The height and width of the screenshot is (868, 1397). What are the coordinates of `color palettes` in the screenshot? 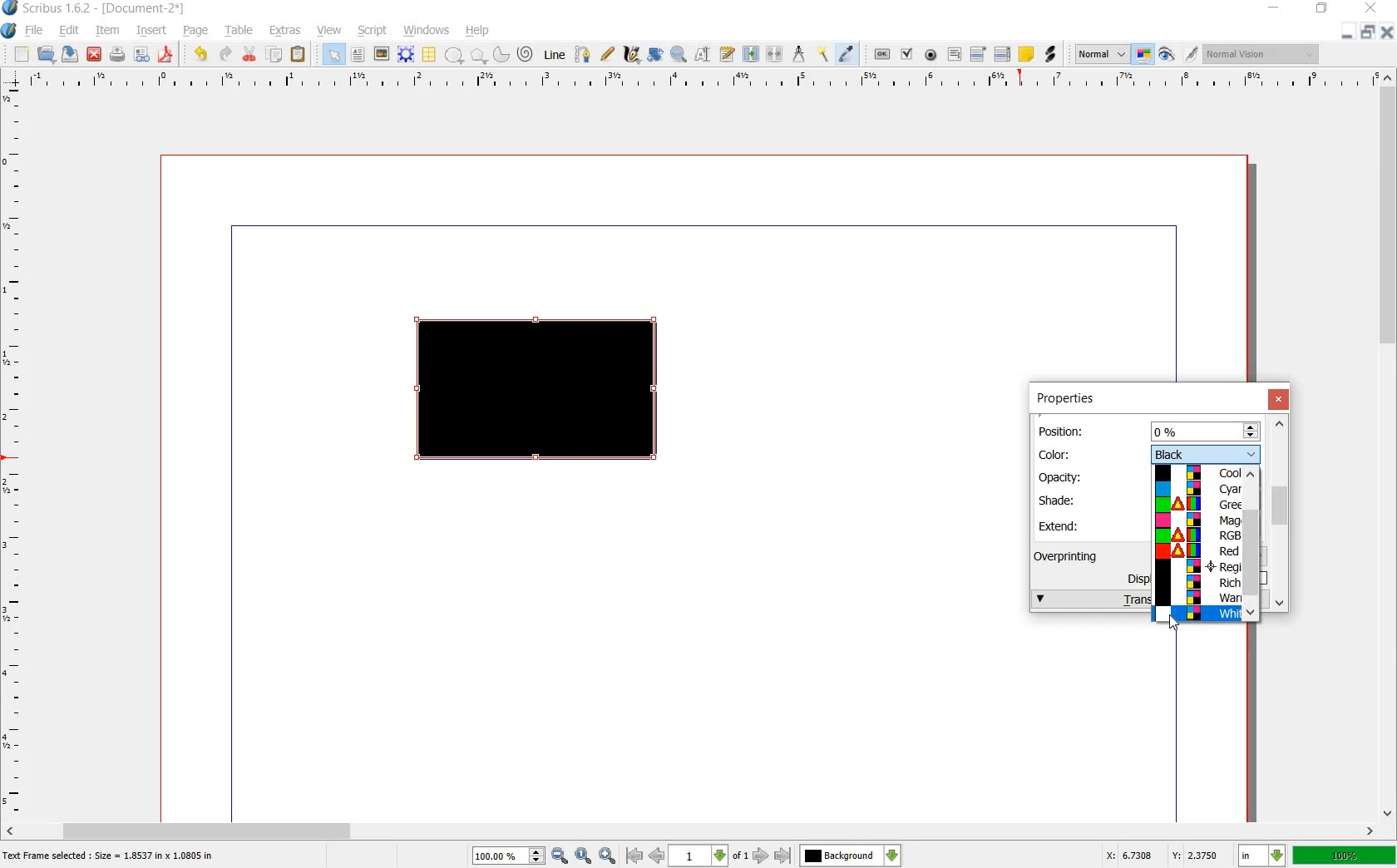 It's located at (1199, 535).